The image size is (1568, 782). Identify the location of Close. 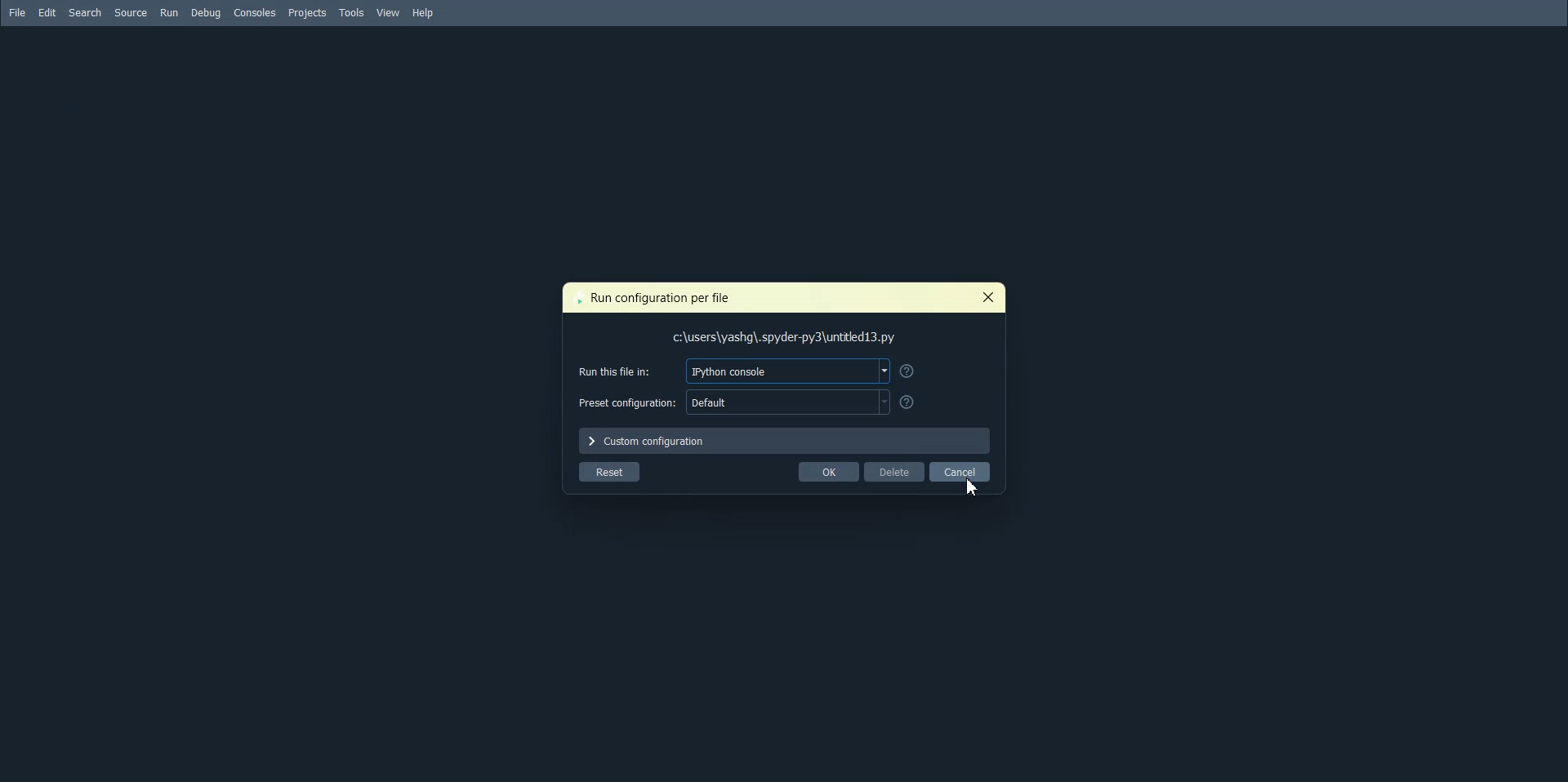
(989, 296).